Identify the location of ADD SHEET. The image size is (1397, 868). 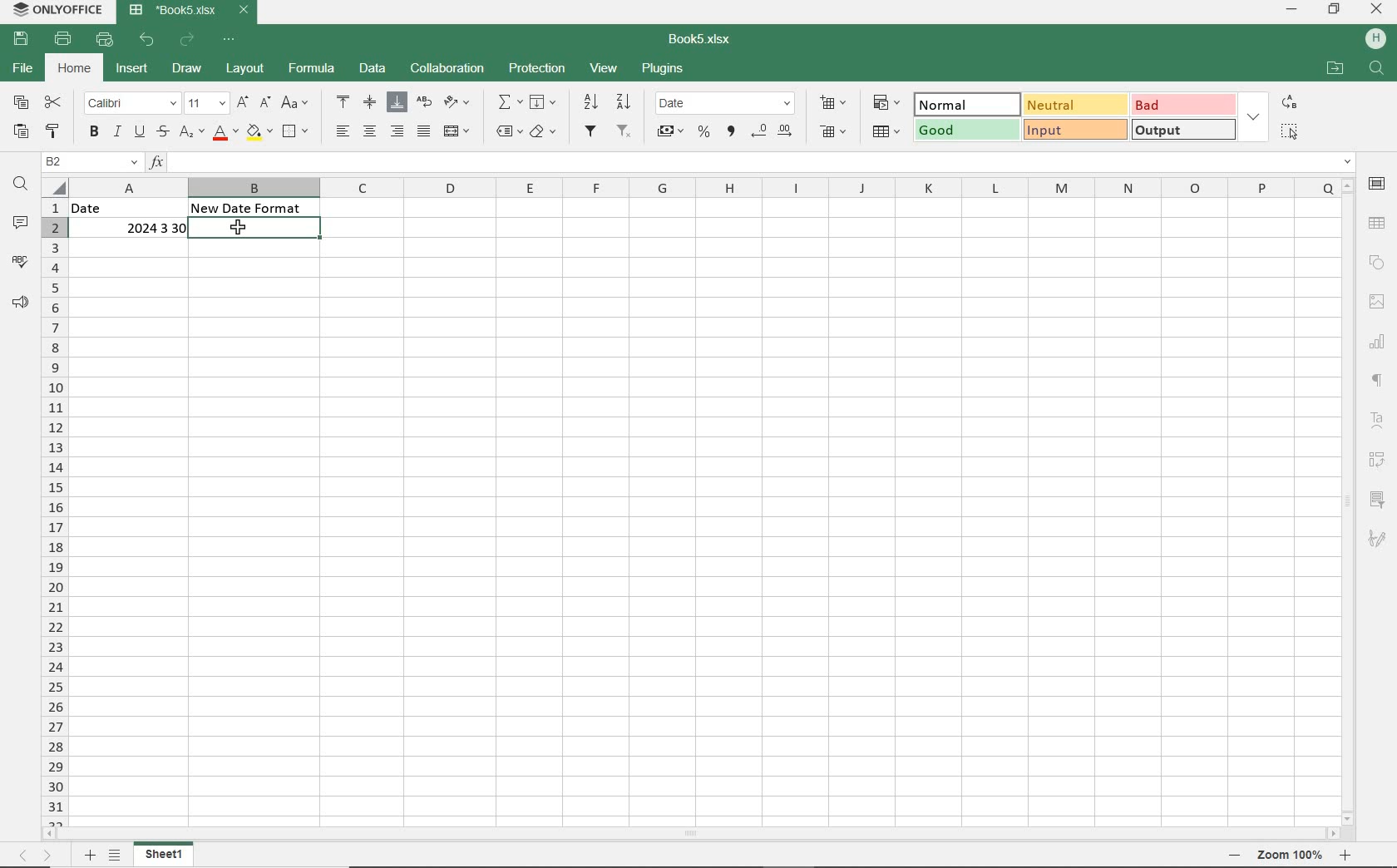
(90, 856).